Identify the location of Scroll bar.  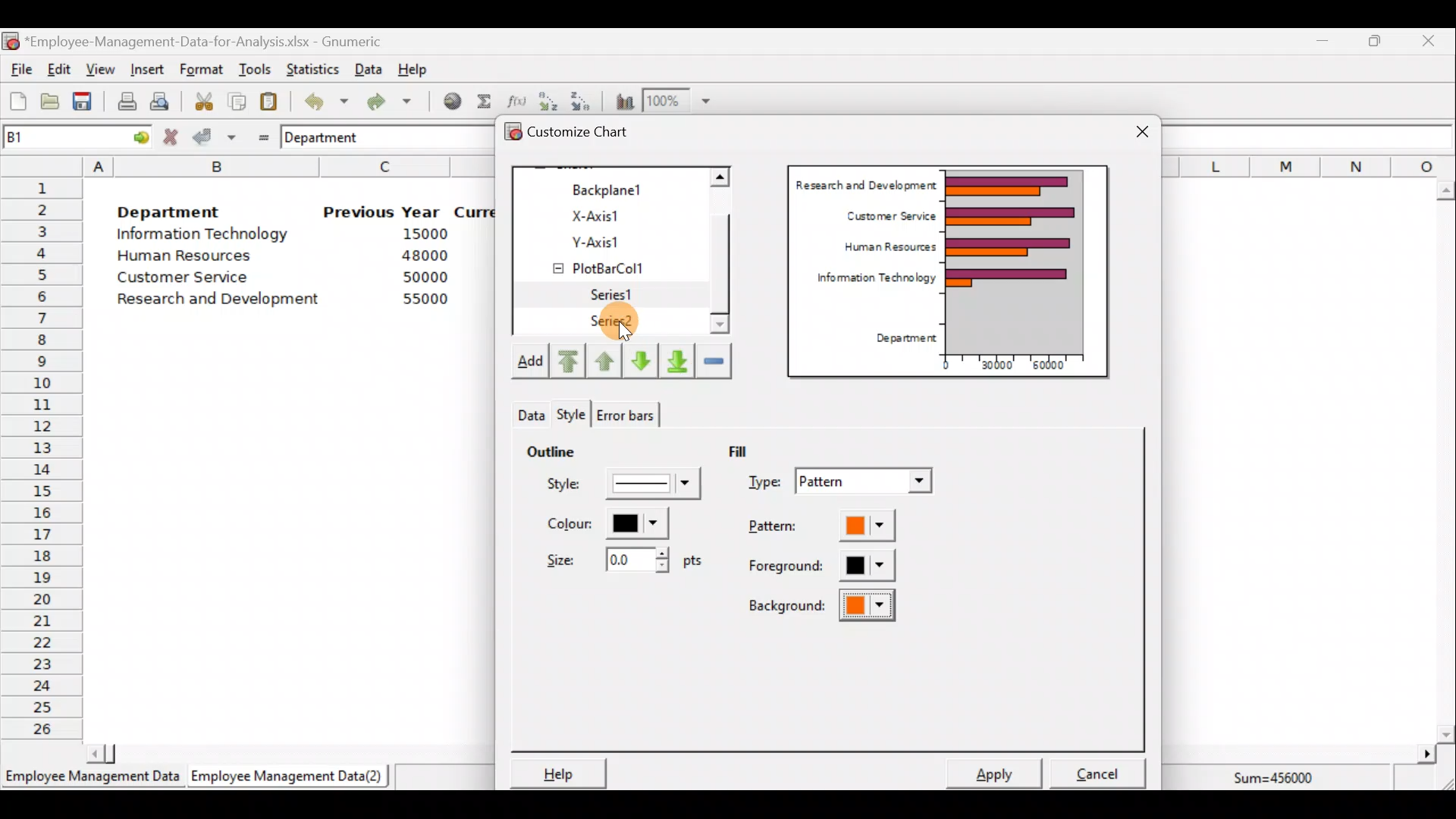
(283, 752).